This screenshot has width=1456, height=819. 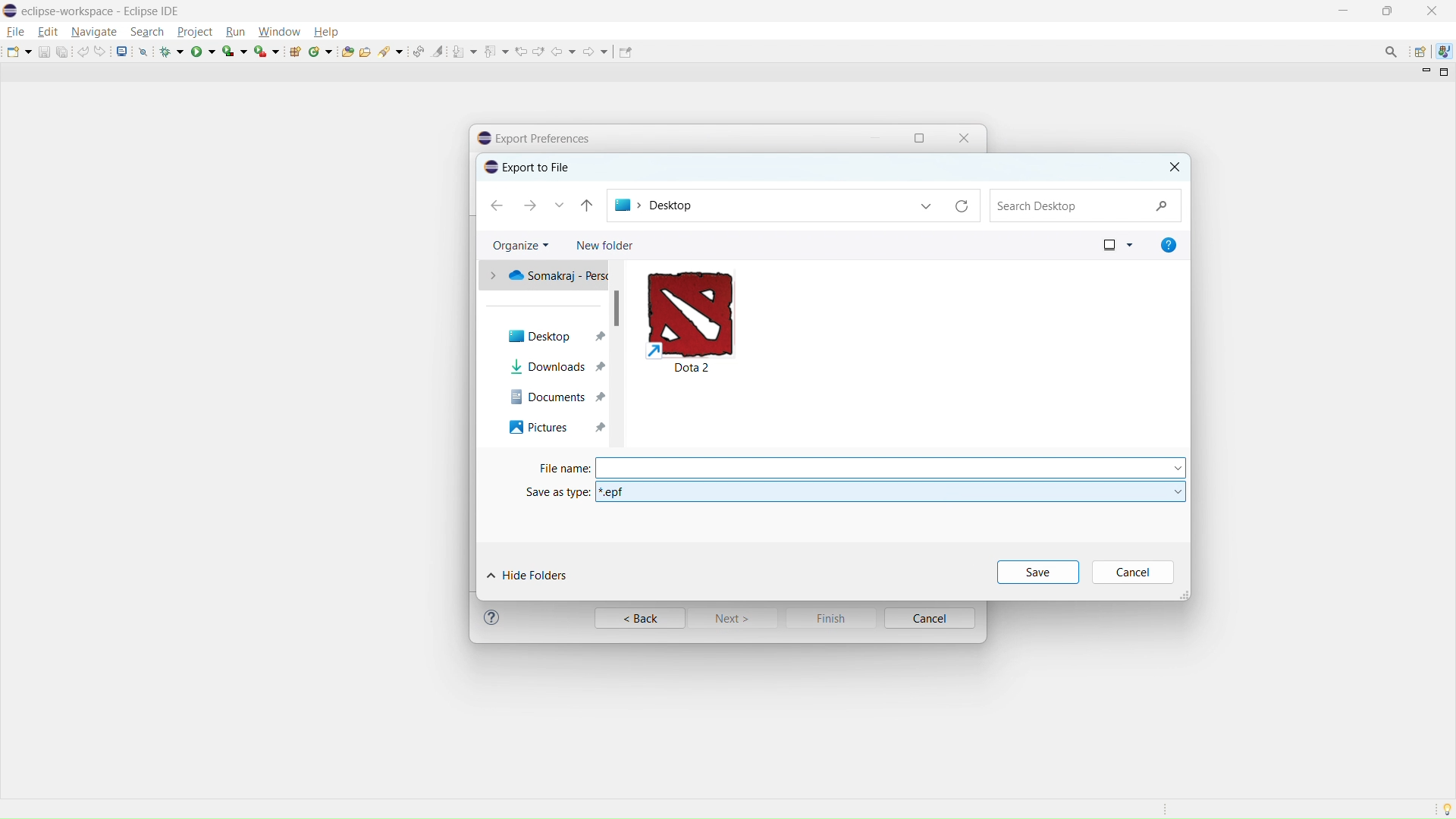 I want to click on Documents, so click(x=544, y=398).